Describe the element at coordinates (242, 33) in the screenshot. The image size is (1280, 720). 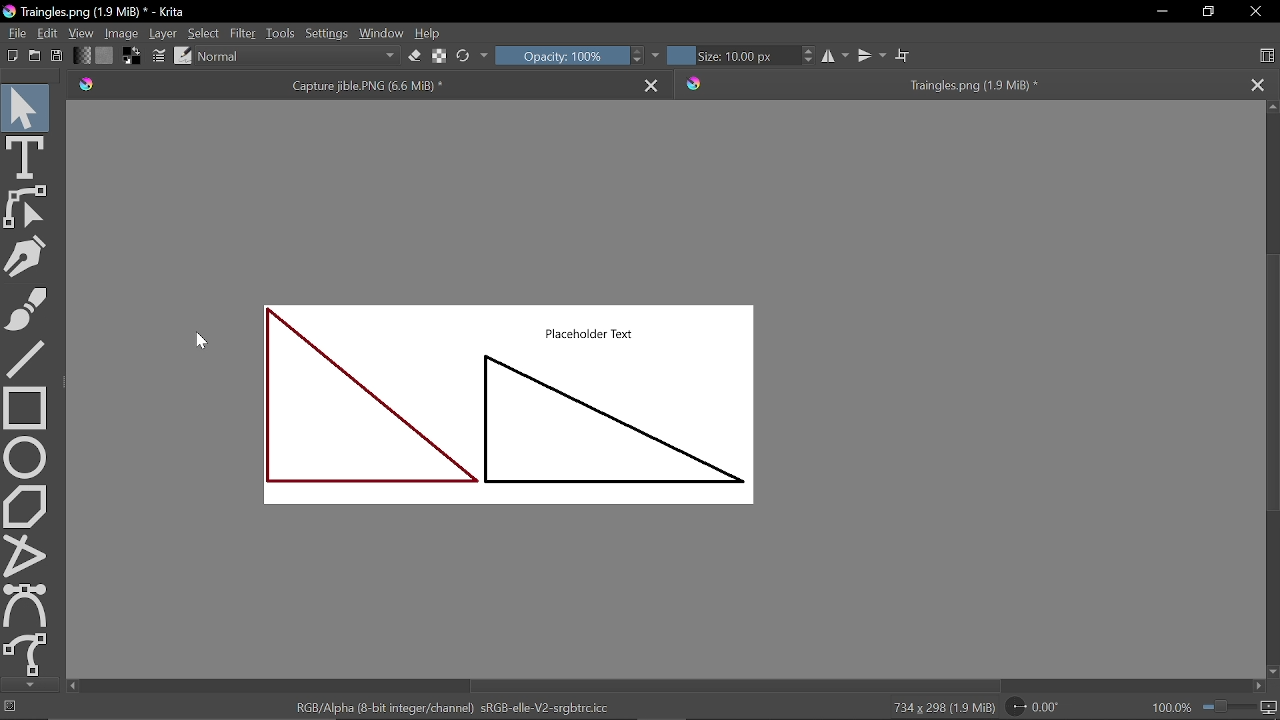
I see `Filter` at that location.